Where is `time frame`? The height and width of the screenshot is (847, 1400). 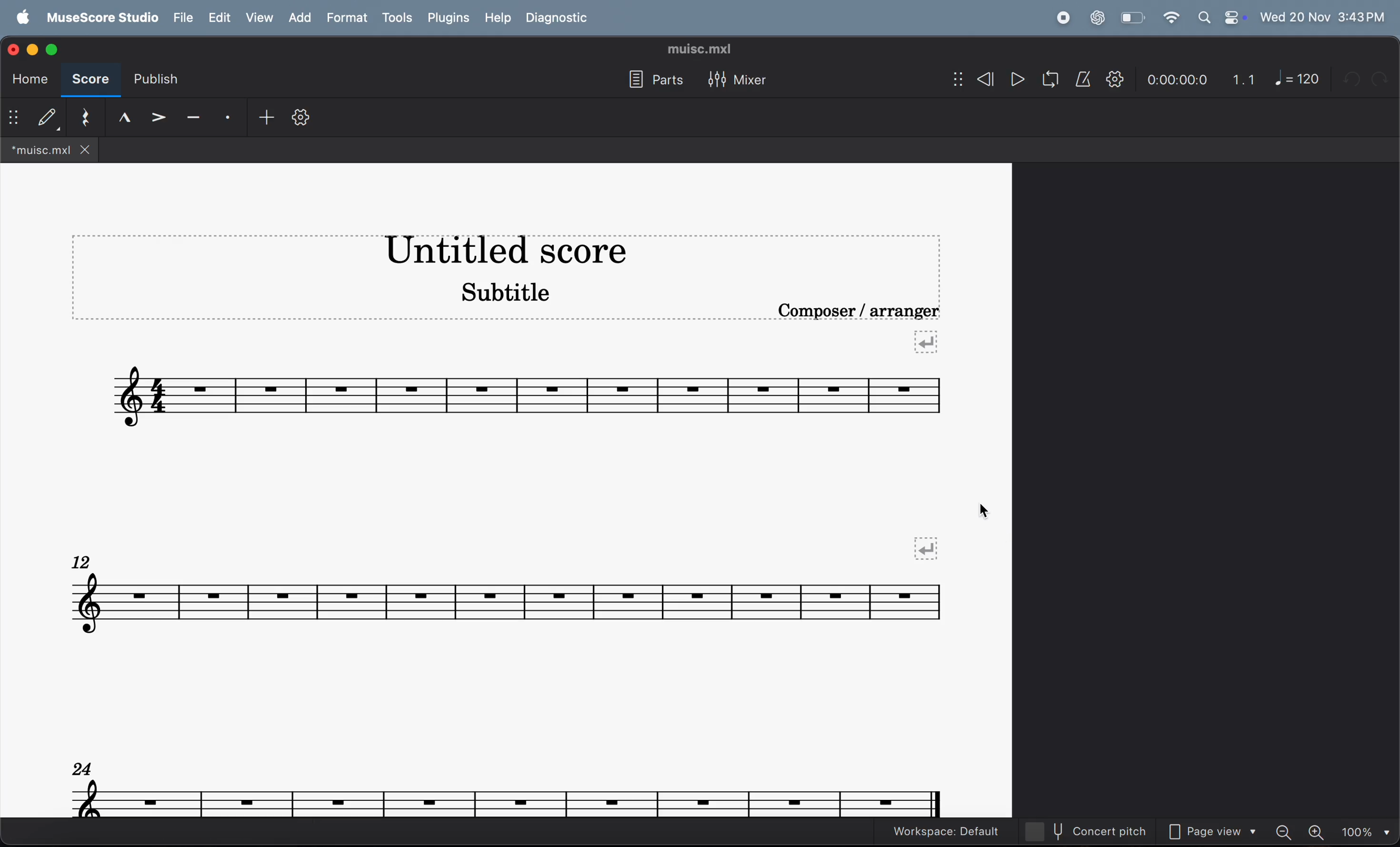
time frame is located at coordinates (1176, 78).